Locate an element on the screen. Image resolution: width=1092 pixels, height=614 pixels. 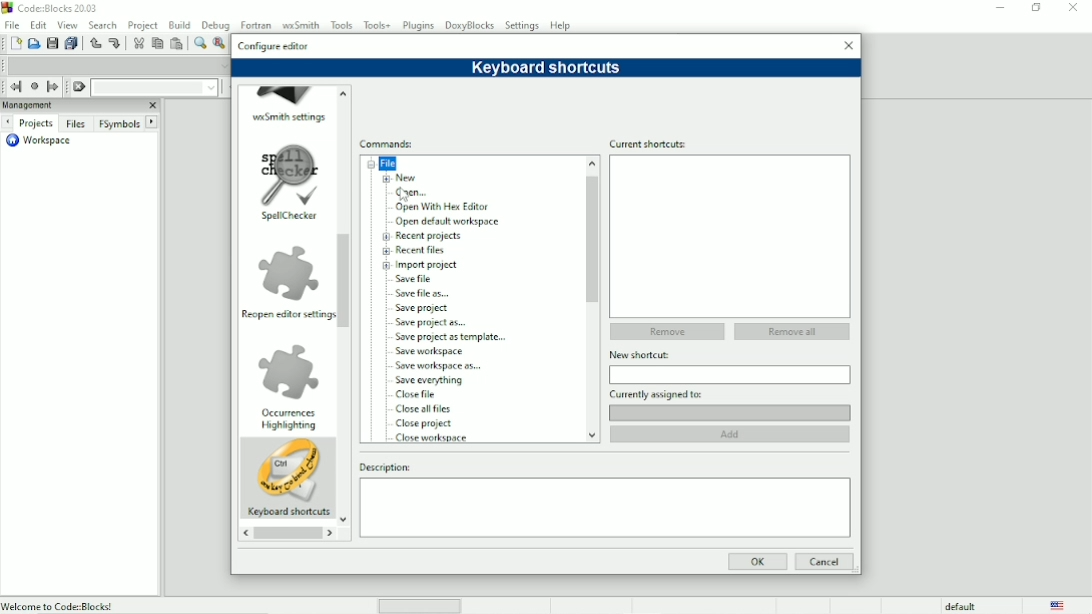
Save file is located at coordinates (418, 279).